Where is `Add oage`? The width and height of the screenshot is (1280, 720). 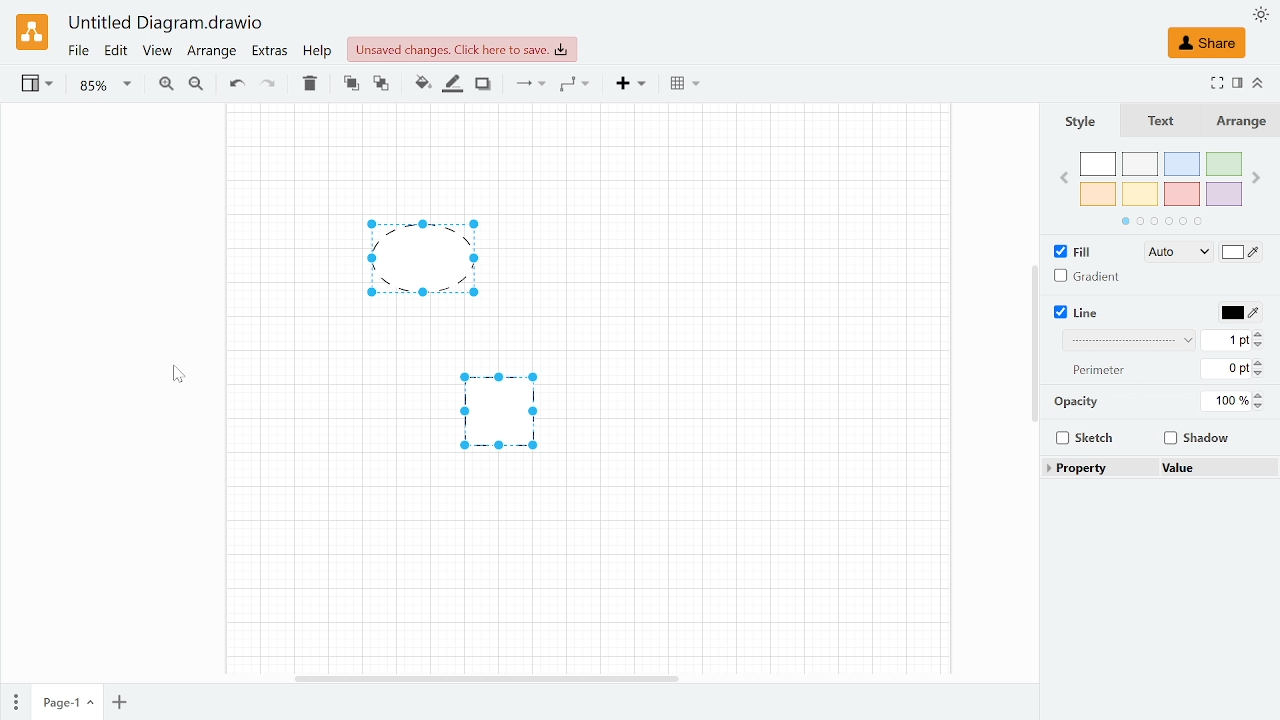 Add oage is located at coordinates (119, 704).